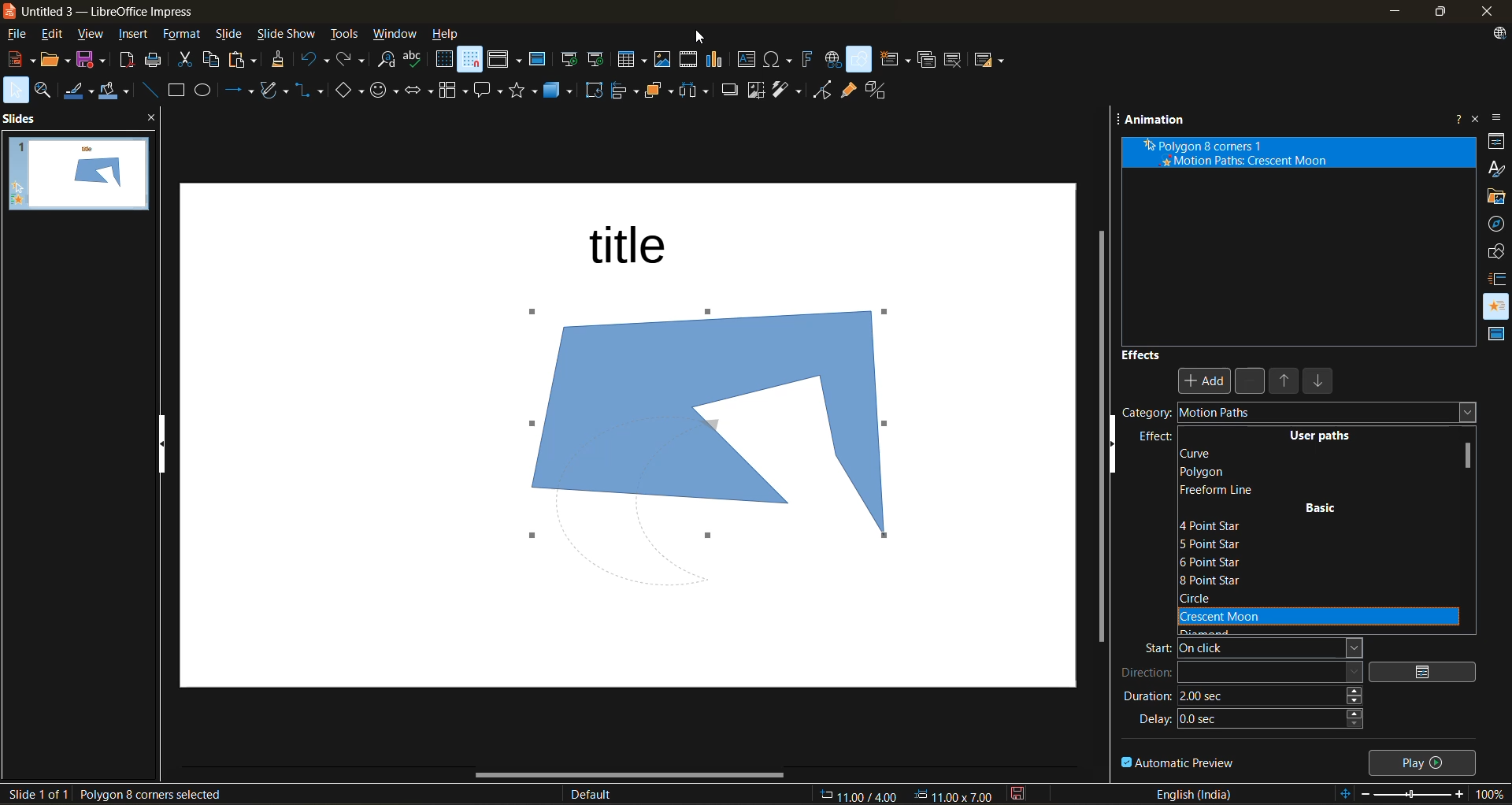 The height and width of the screenshot is (805, 1512). Describe the element at coordinates (632, 777) in the screenshot. I see `horizontal scroll bar` at that location.